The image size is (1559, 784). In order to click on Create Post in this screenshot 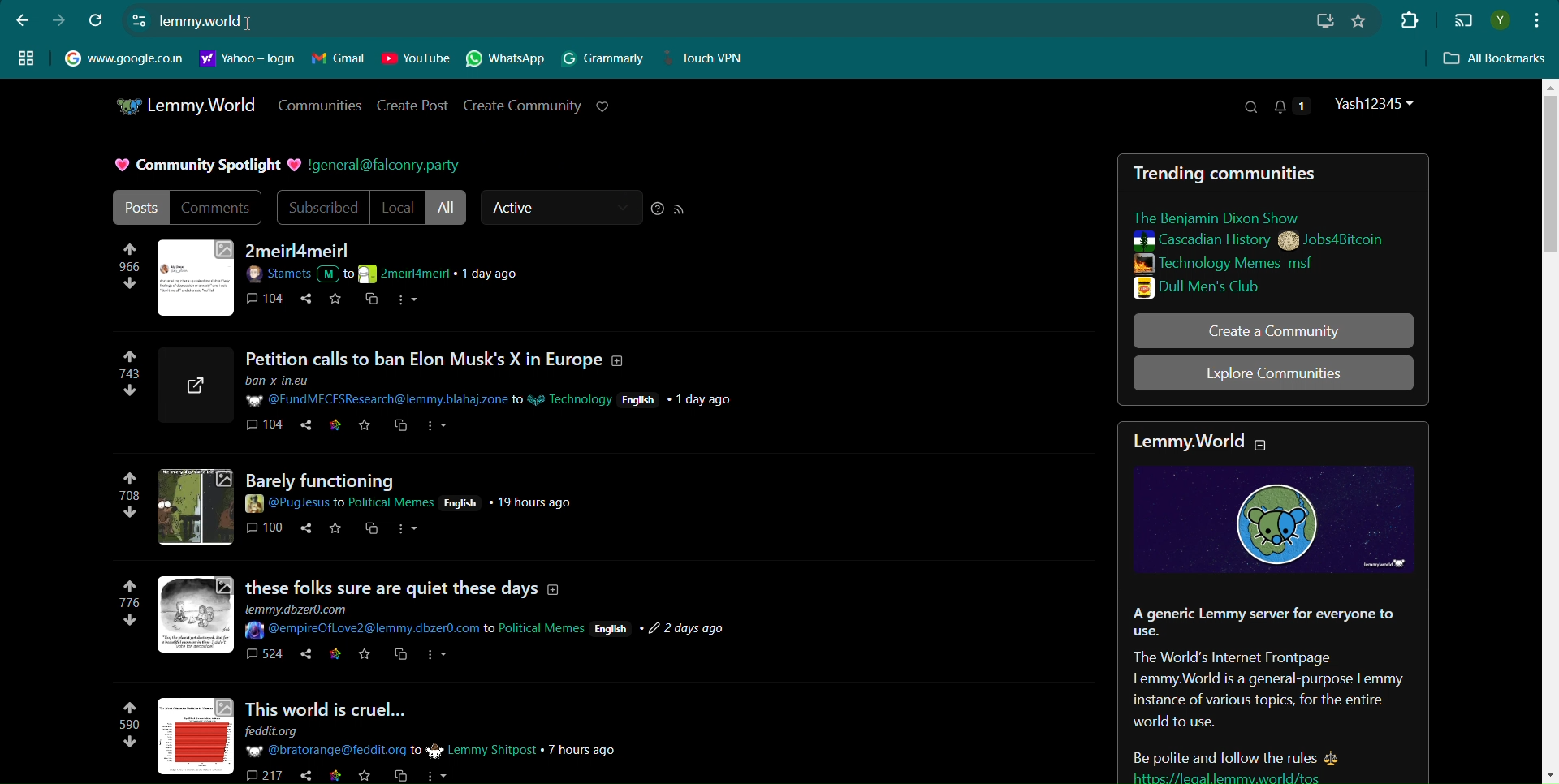, I will do `click(414, 106)`.